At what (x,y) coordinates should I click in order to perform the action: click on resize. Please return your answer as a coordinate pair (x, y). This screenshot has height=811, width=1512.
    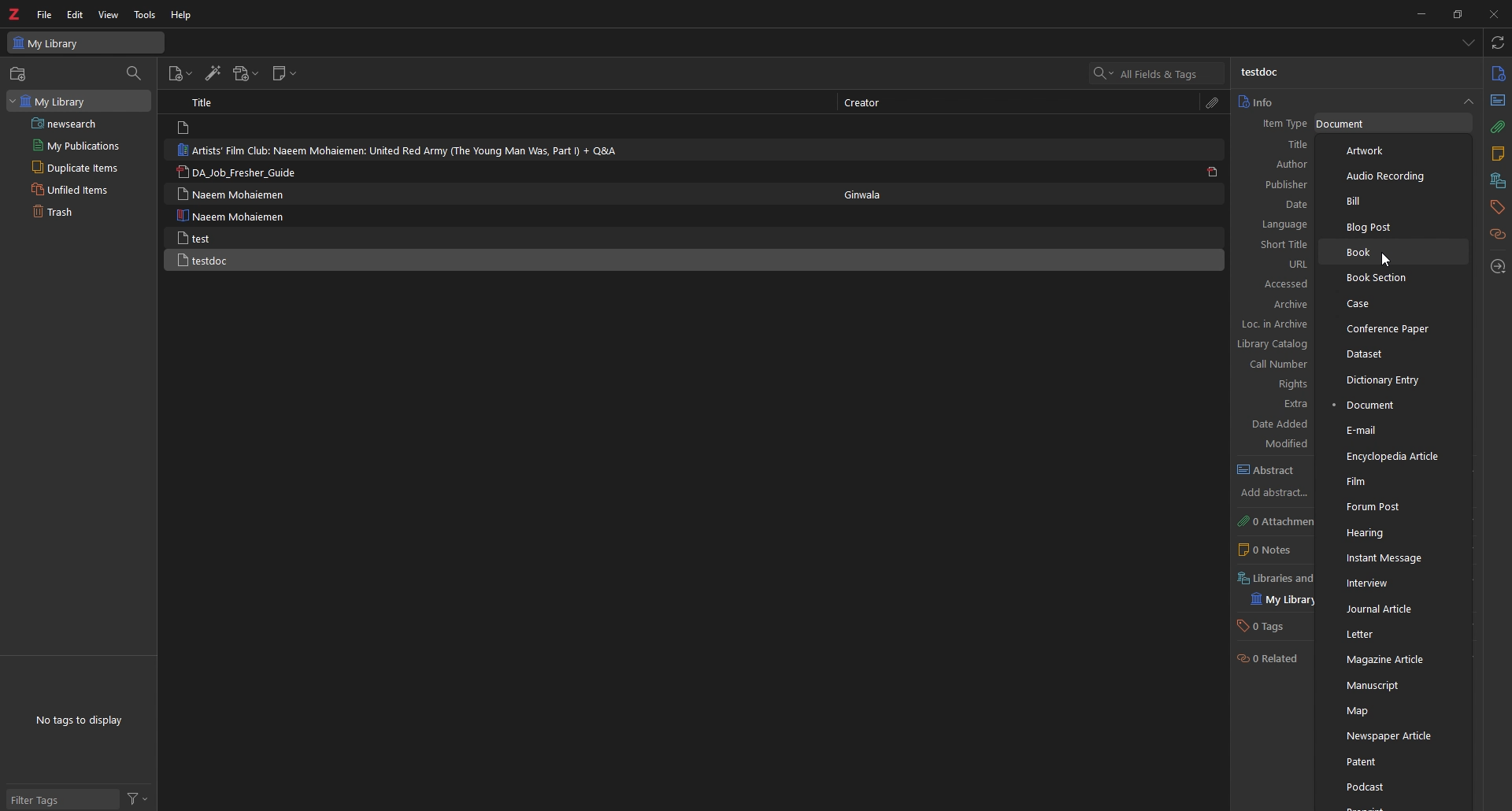
    Looking at the image, I should click on (1456, 14).